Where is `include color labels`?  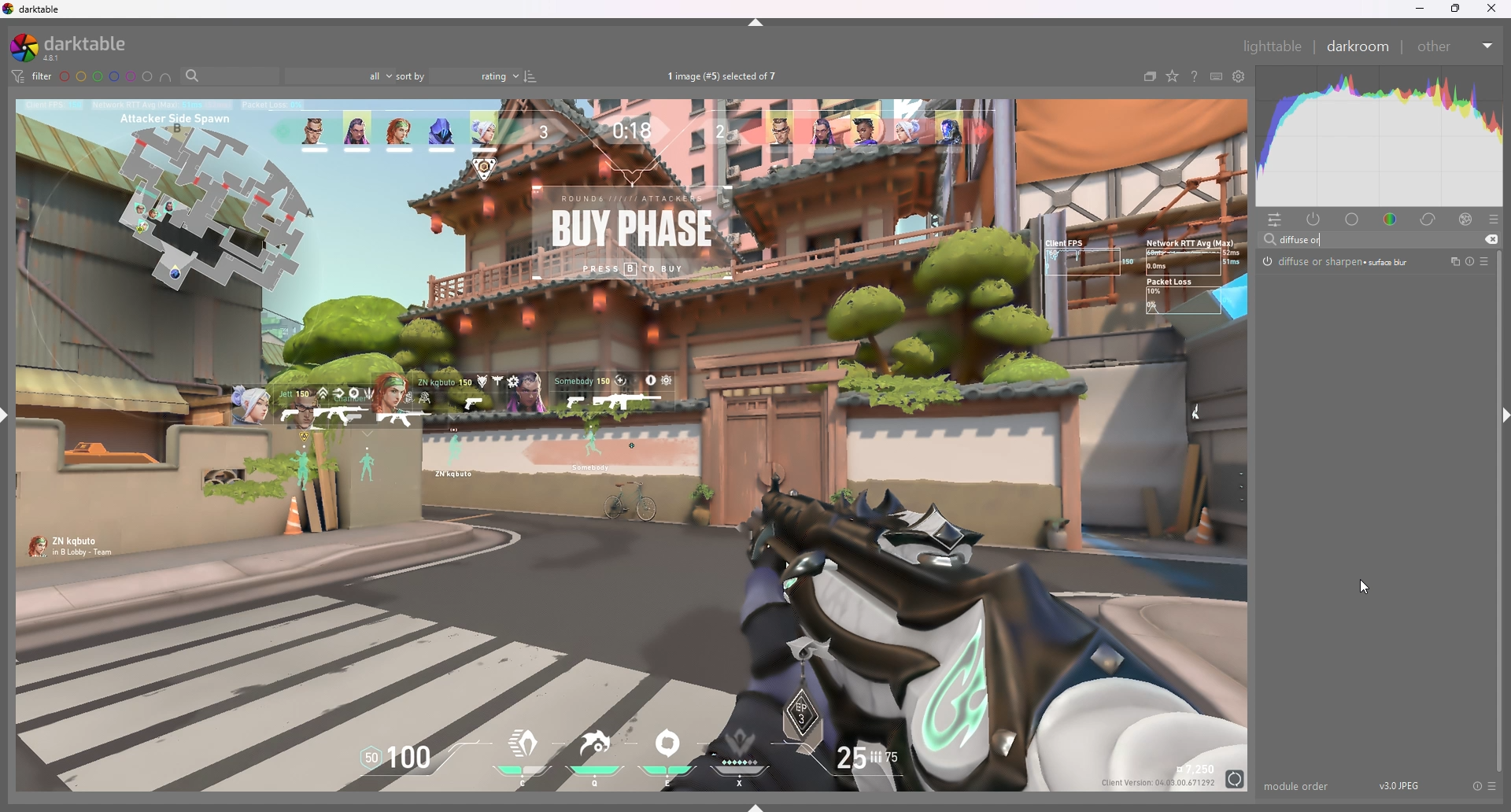 include color labels is located at coordinates (165, 76).